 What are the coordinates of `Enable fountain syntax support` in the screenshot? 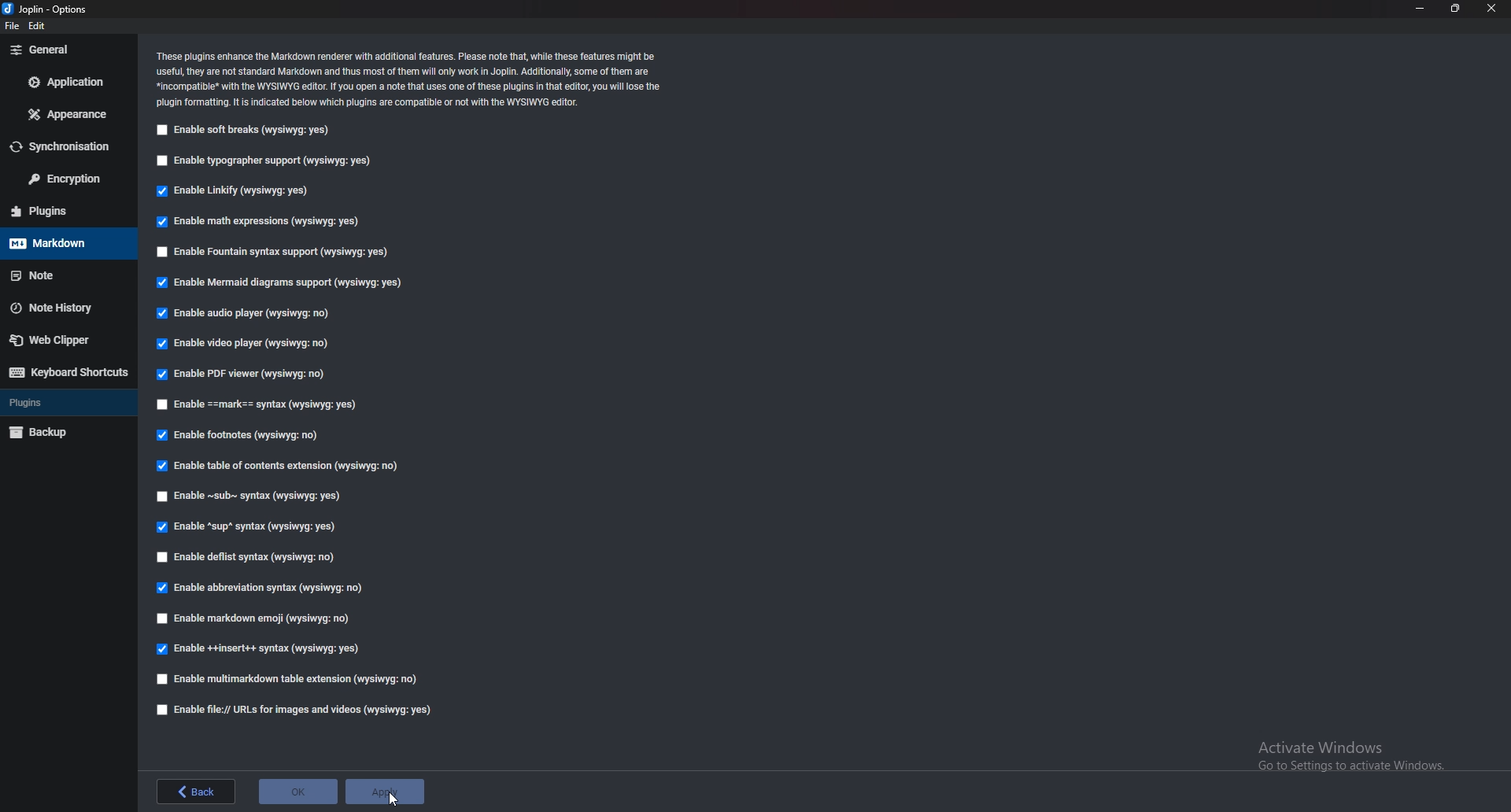 It's located at (276, 253).